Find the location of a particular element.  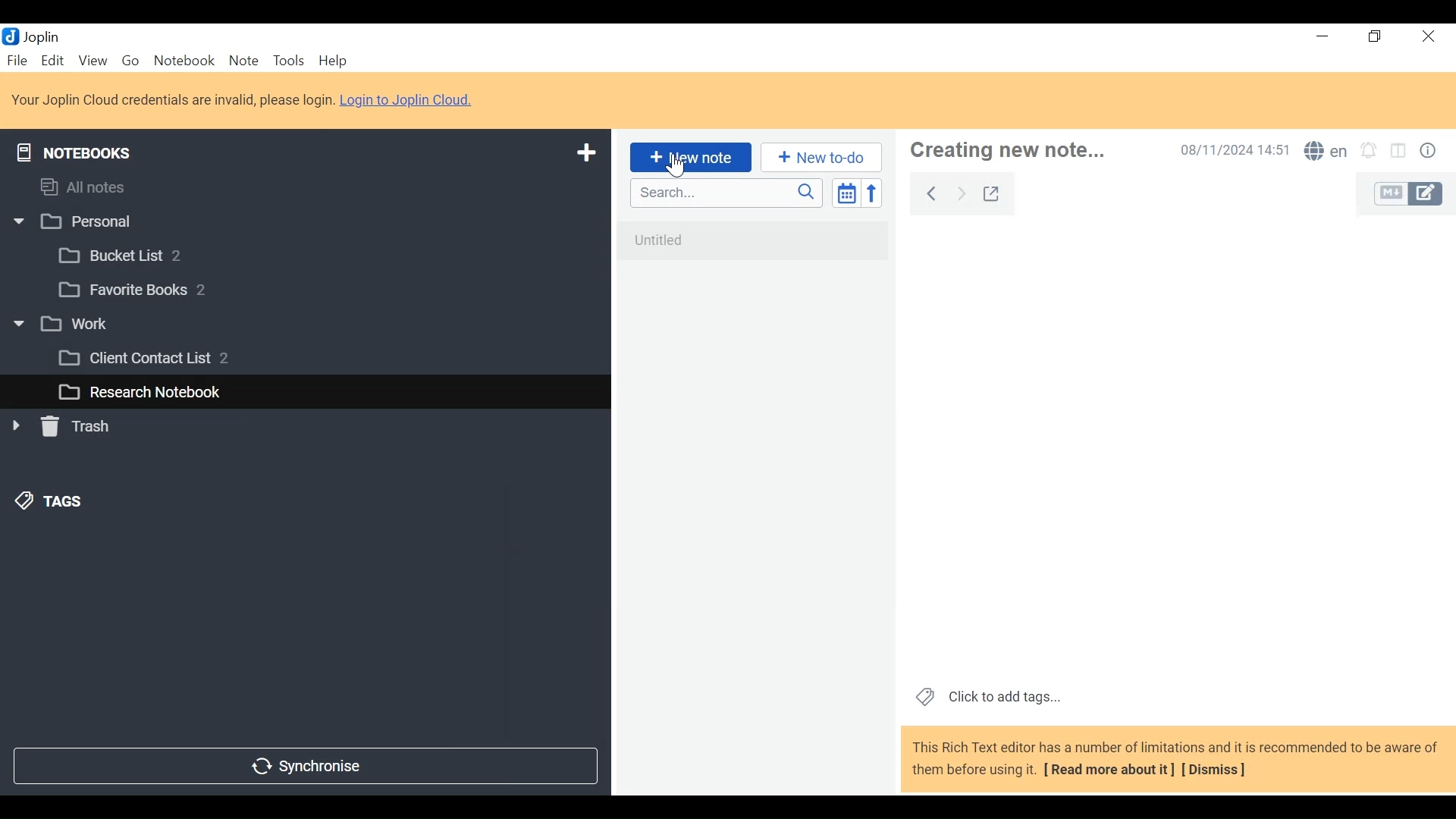

Forward is located at coordinates (962, 192).